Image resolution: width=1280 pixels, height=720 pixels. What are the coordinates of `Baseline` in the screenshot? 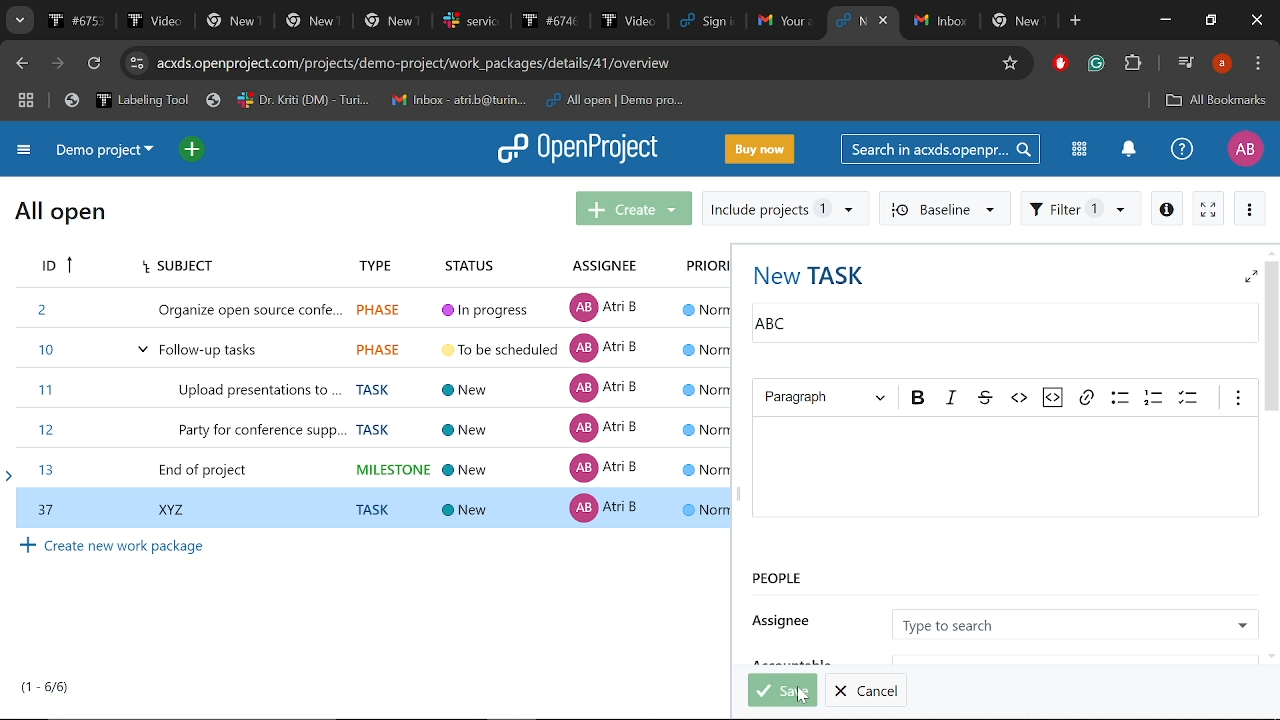 It's located at (943, 207).